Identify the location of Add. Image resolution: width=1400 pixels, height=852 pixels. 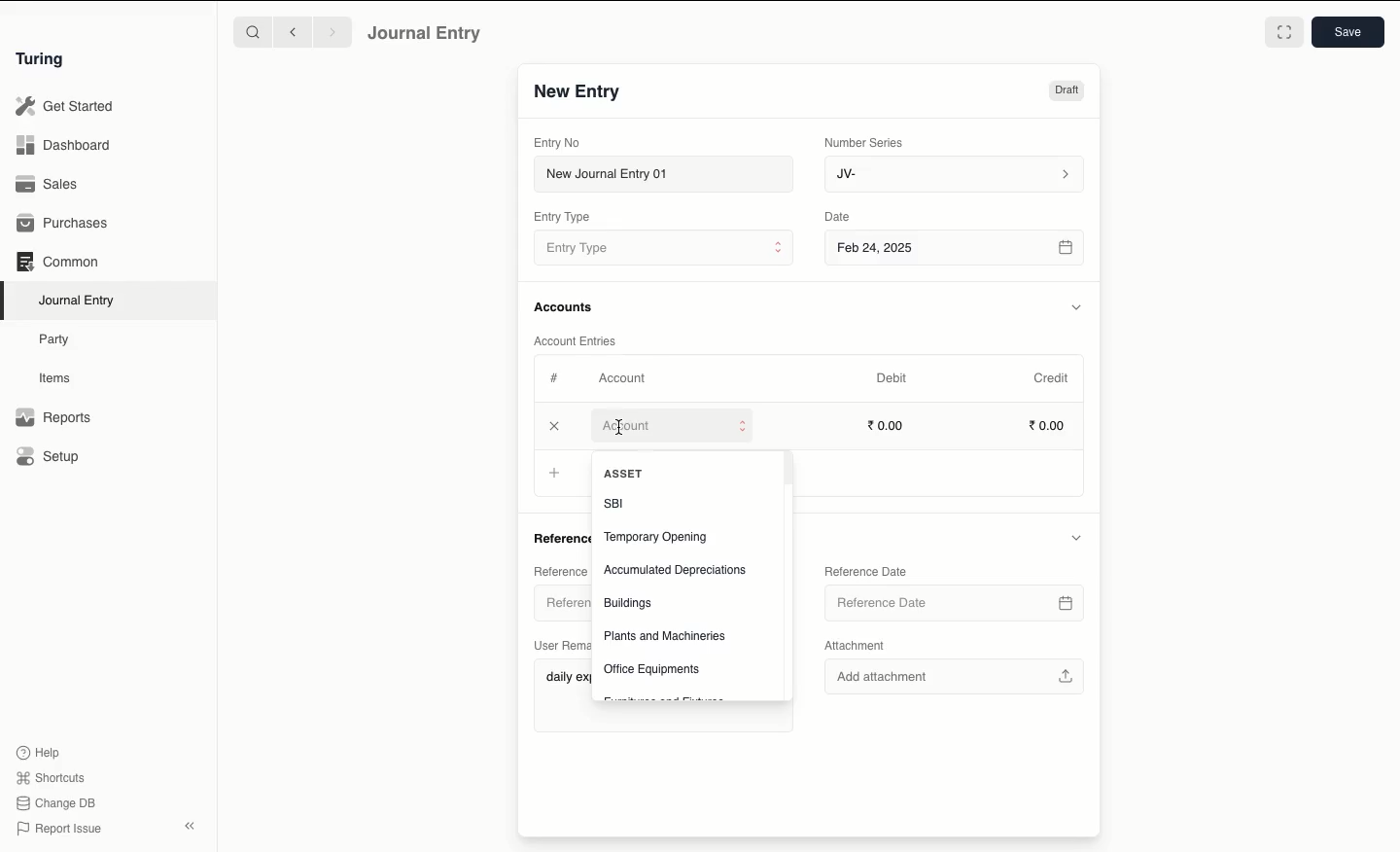
(553, 470).